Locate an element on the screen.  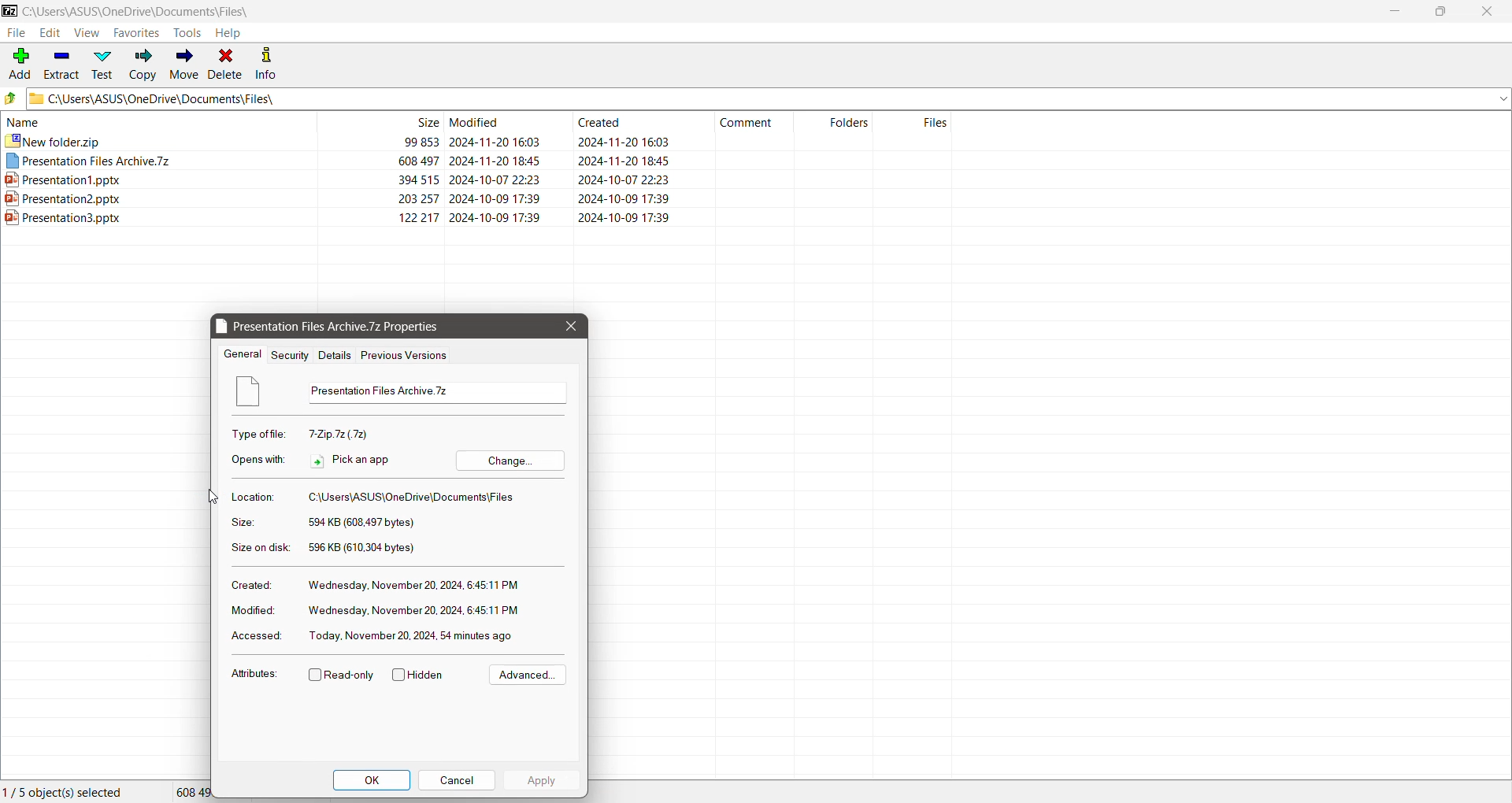
OK is located at coordinates (371, 779).